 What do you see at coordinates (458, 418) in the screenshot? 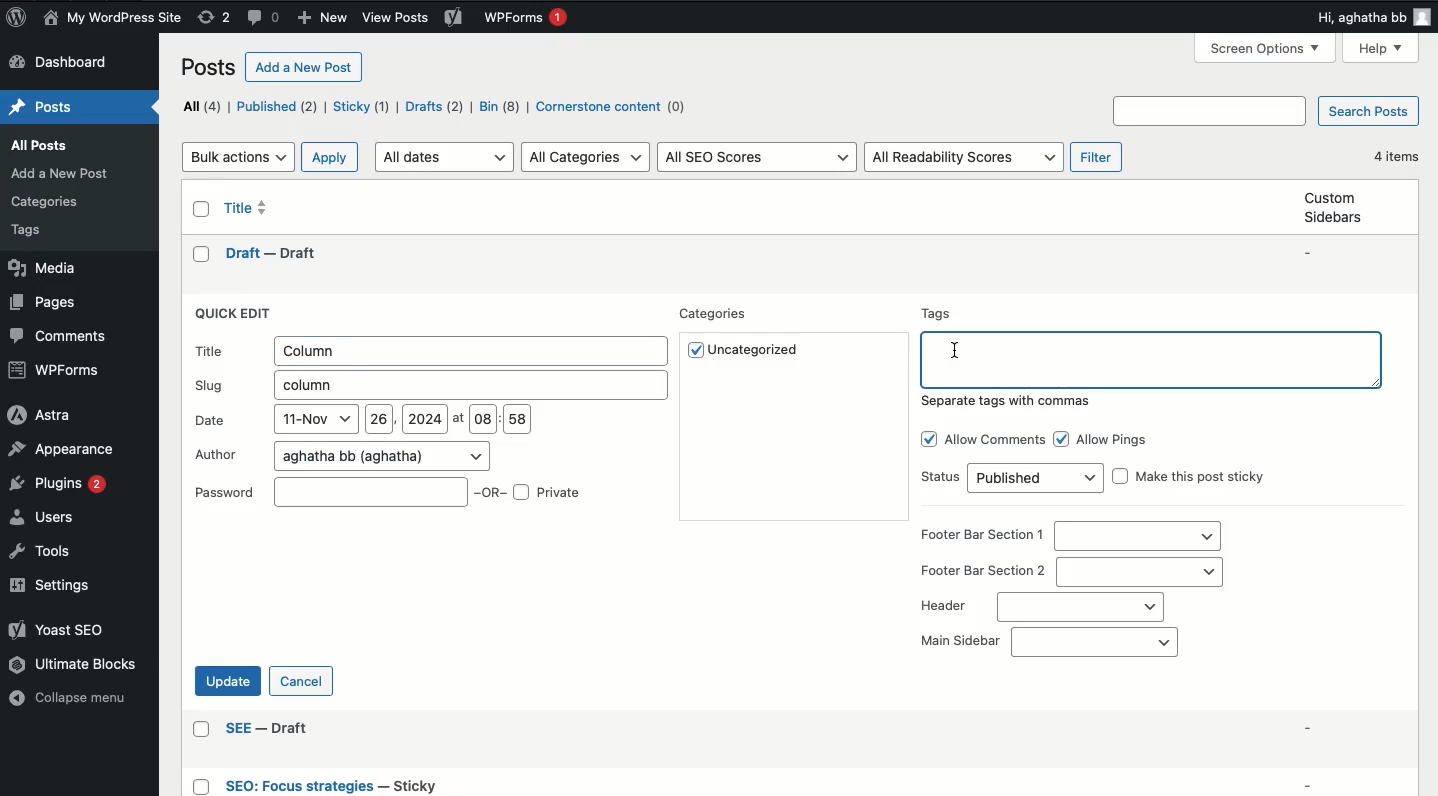
I see `at` at bounding box center [458, 418].